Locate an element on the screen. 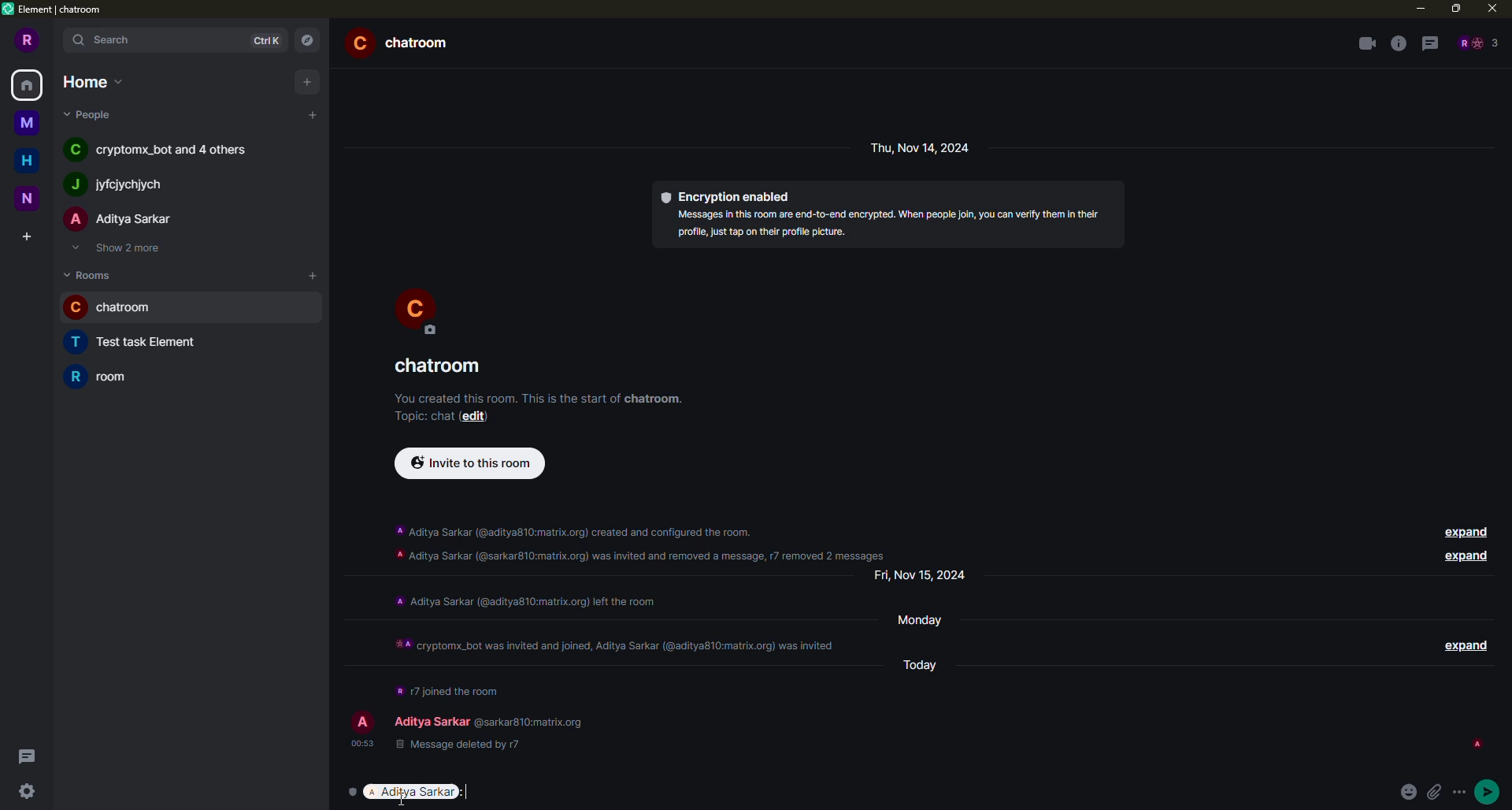  room is located at coordinates (441, 366).